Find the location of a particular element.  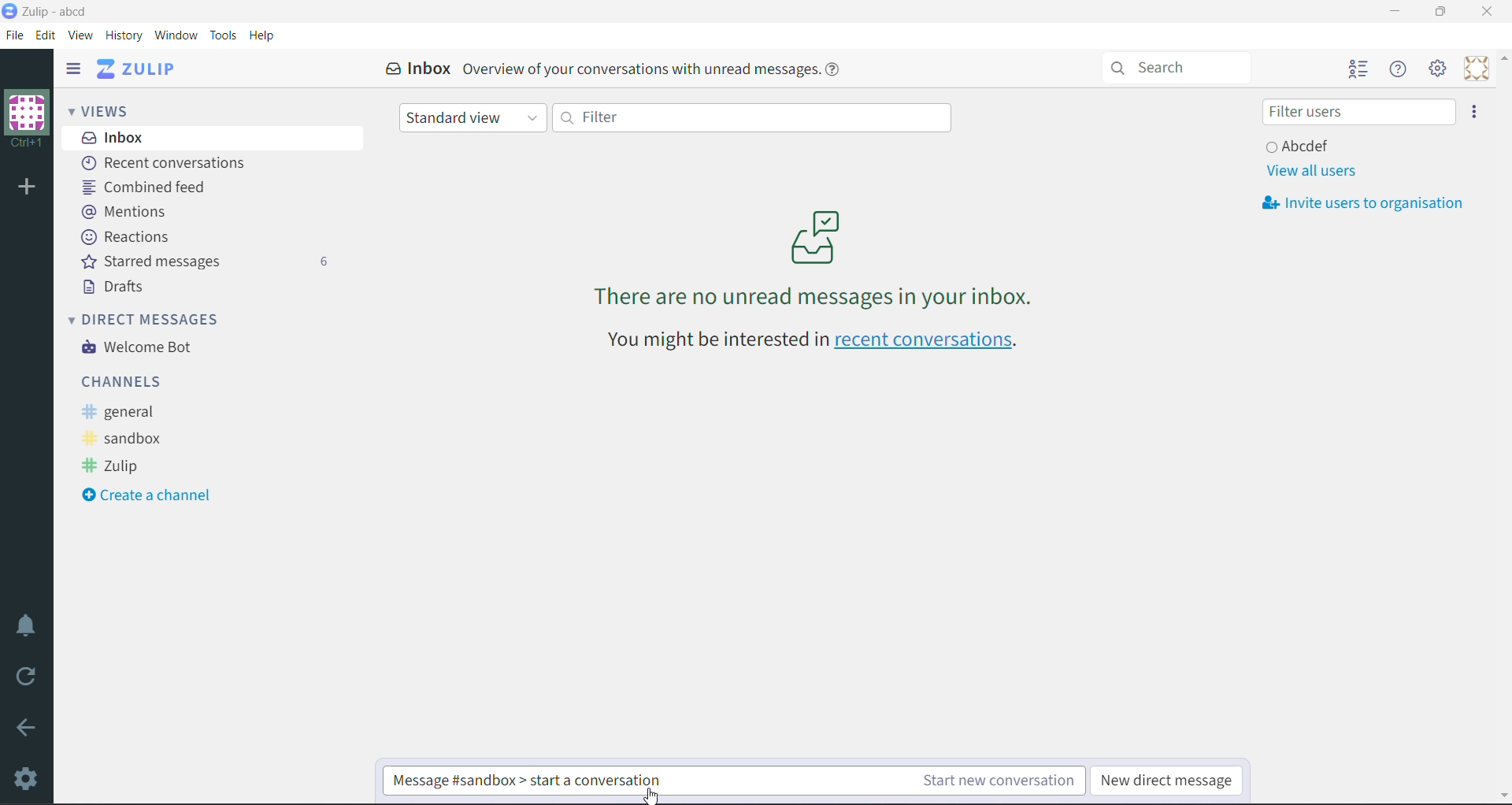

Reload is located at coordinates (29, 677).